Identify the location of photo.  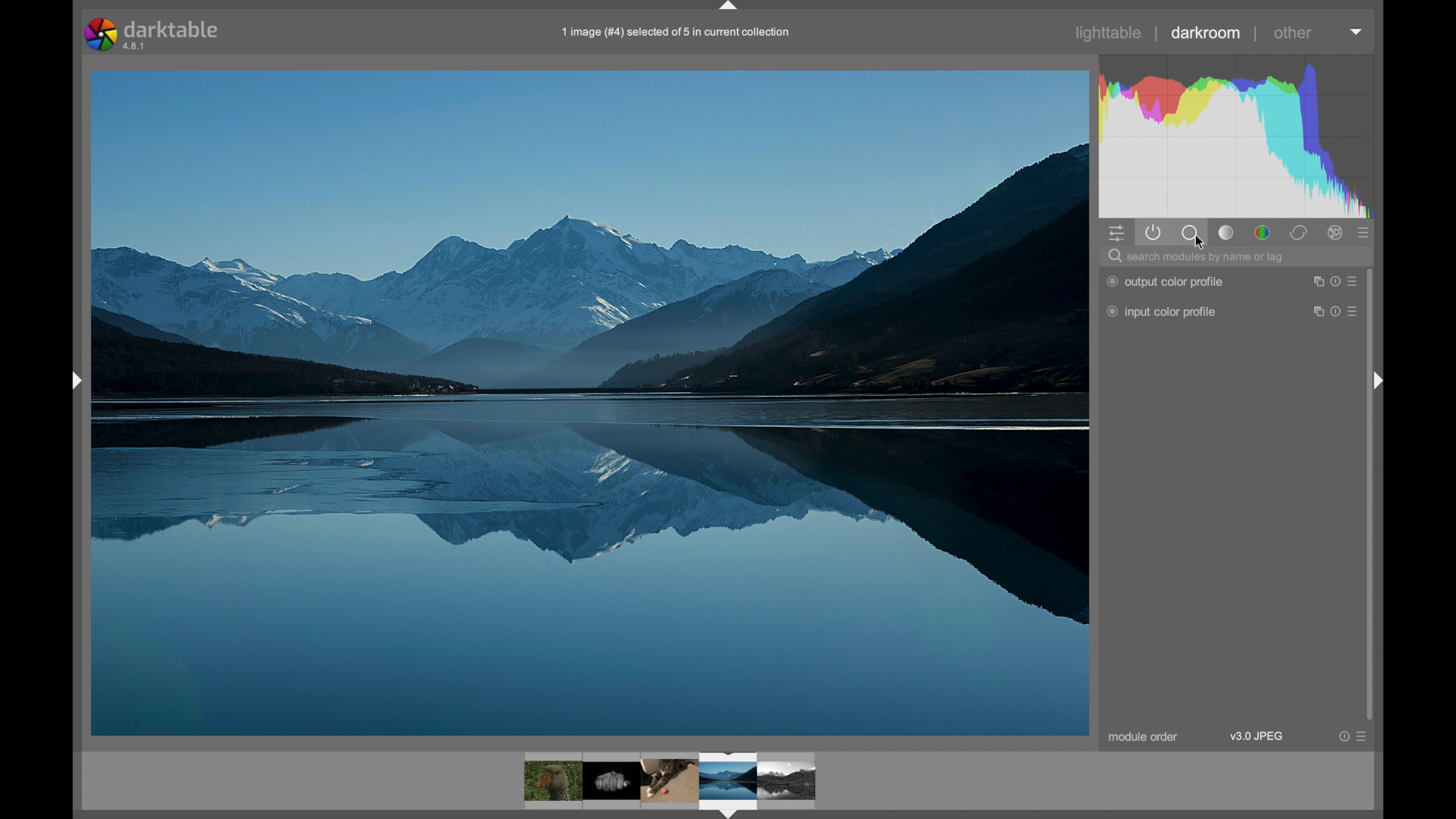
(590, 402).